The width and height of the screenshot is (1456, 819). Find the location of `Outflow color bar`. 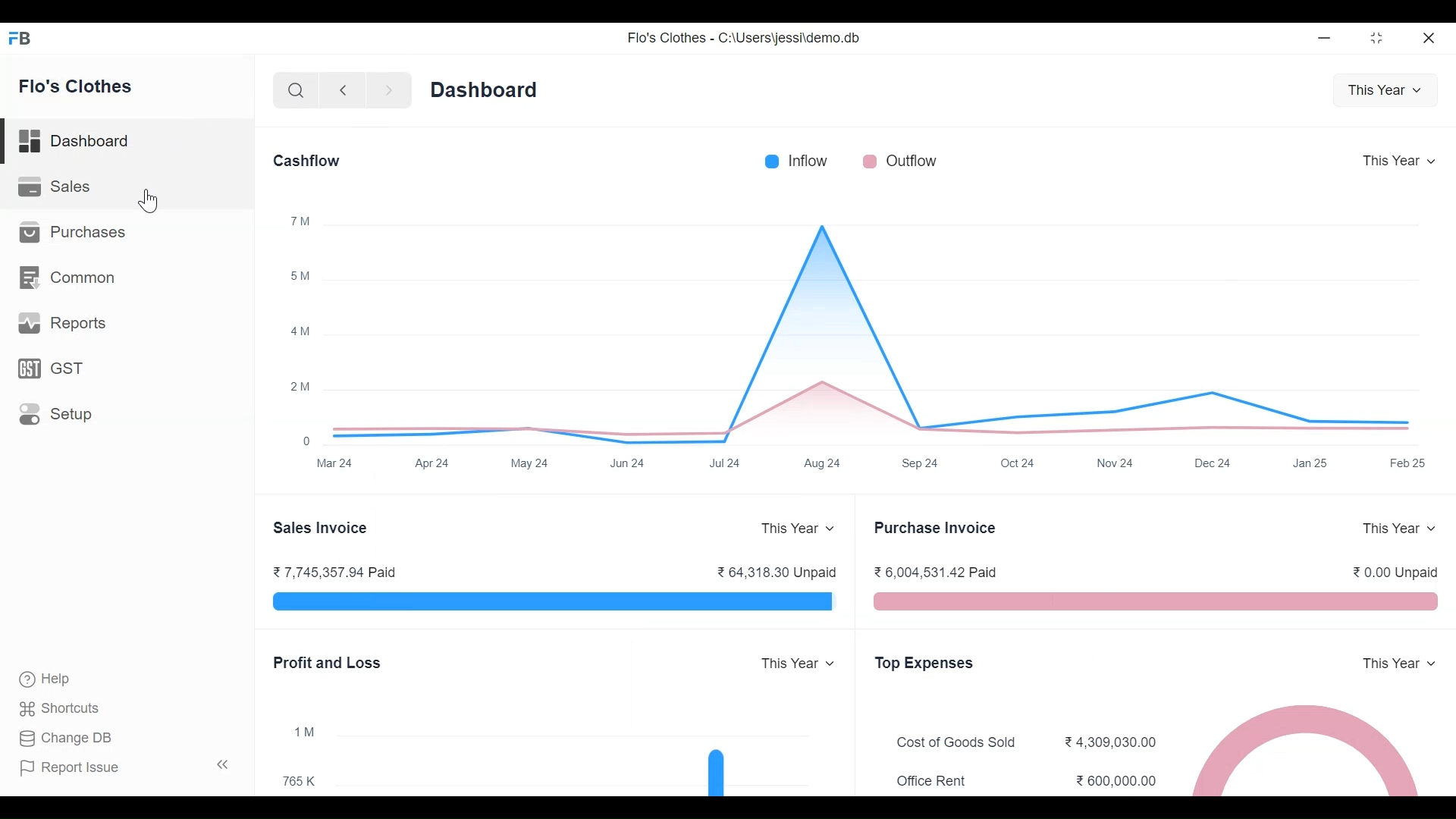

Outflow color bar is located at coordinates (870, 162).